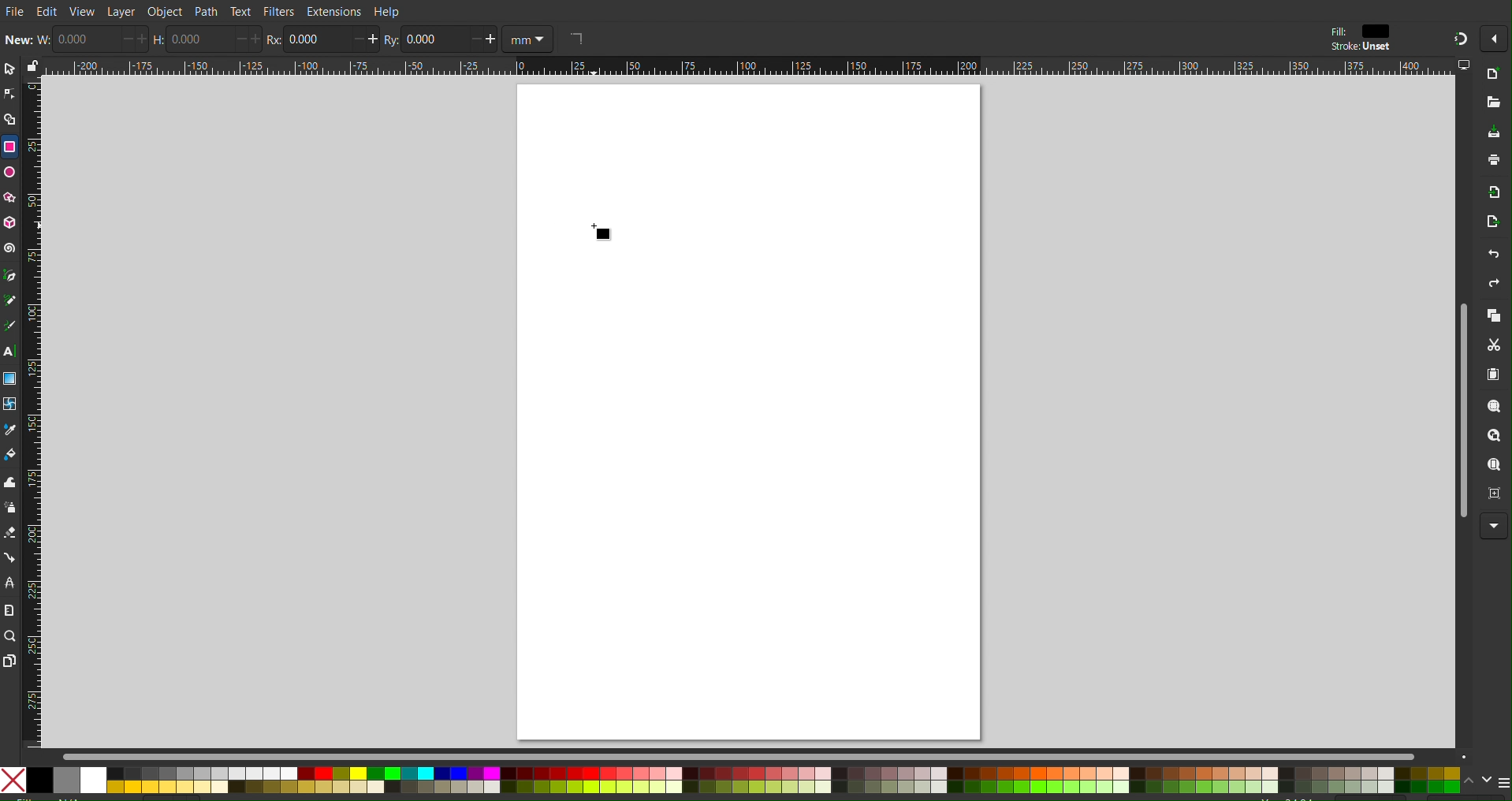 The height and width of the screenshot is (801, 1512). What do you see at coordinates (159, 43) in the screenshot?
I see `H` at bounding box center [159, 43].